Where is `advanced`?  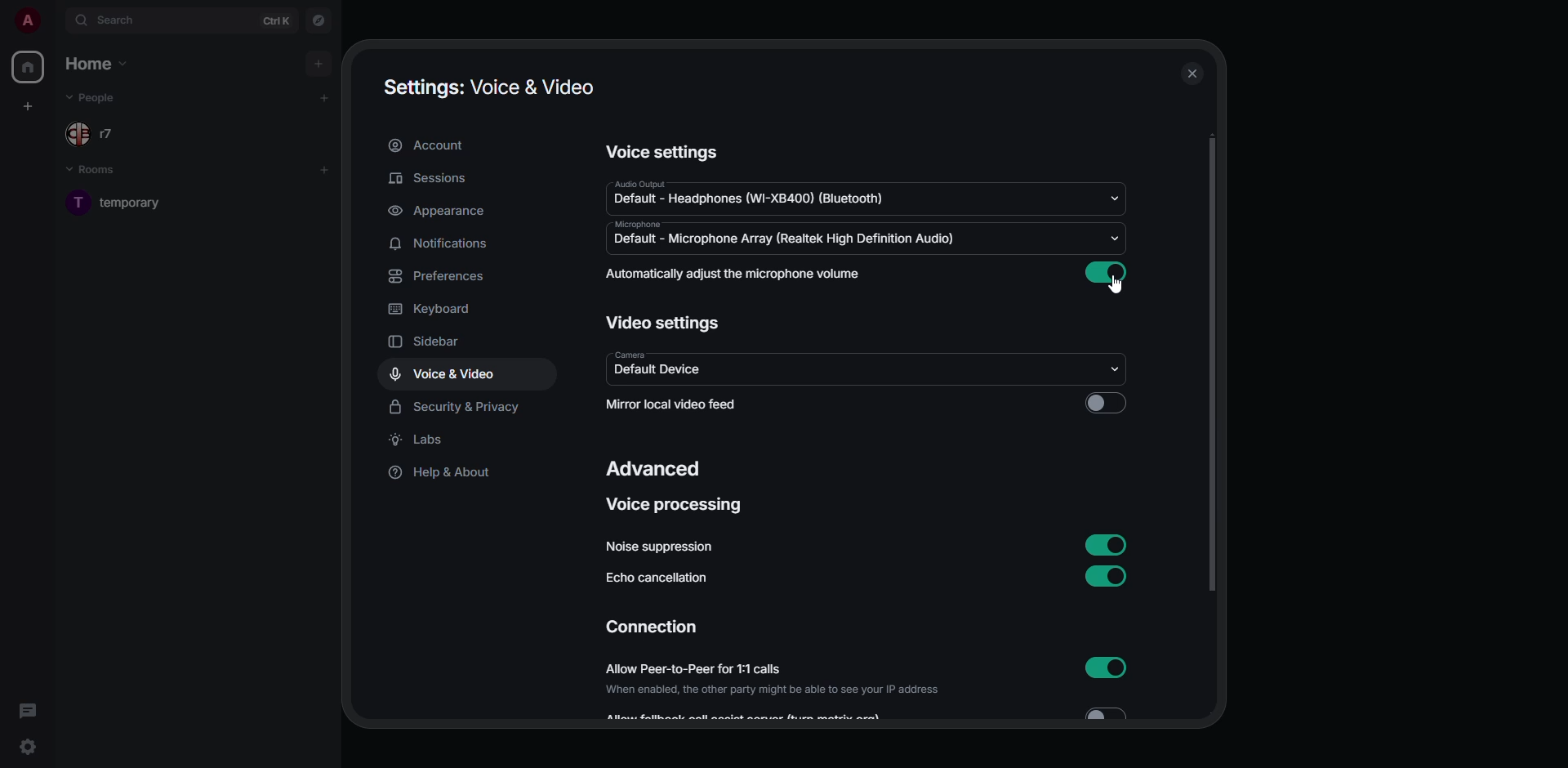 advanced is located at coordinates (655, 467).